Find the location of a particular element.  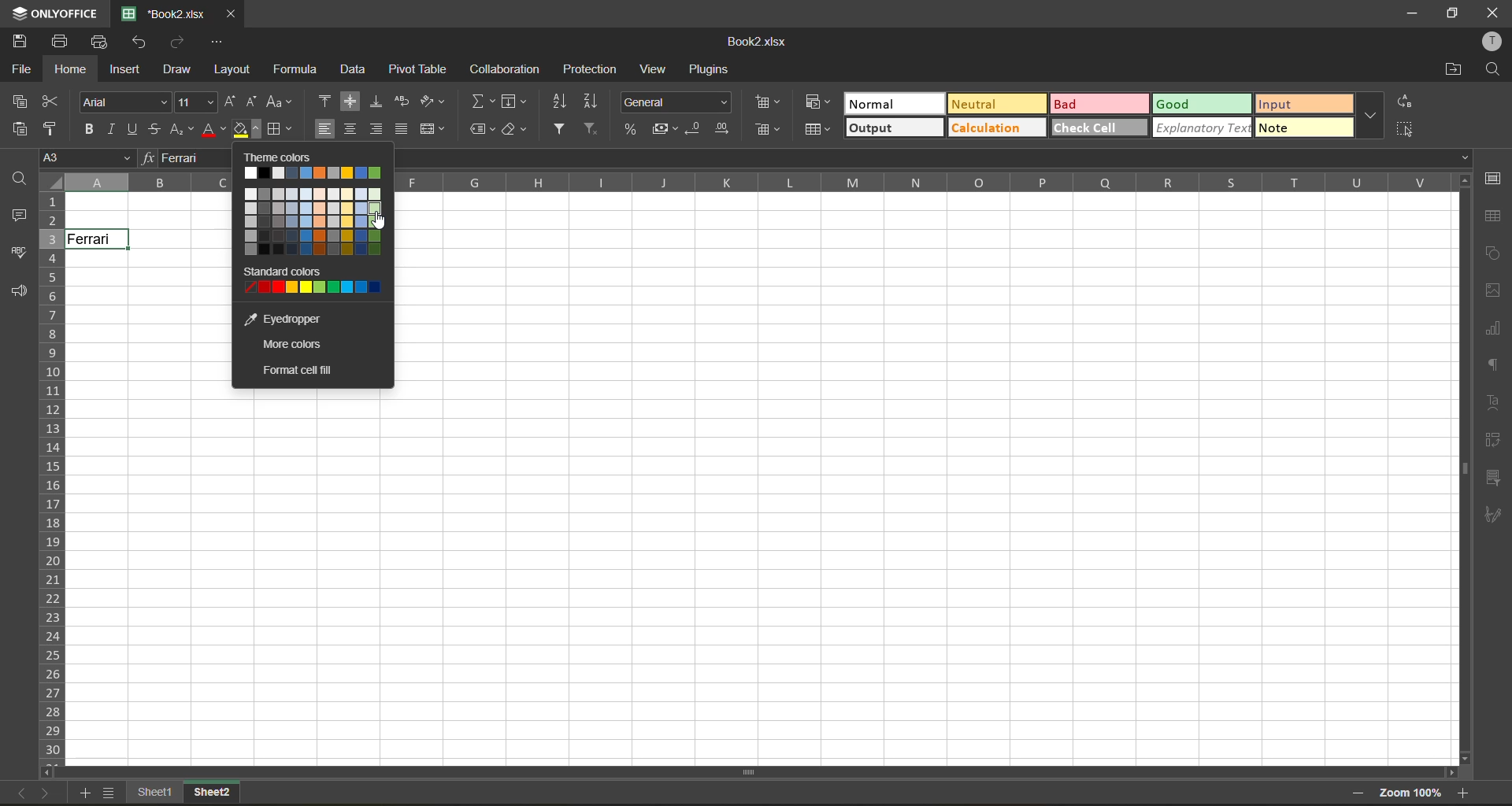

number format is located at coordinates (676, 102).